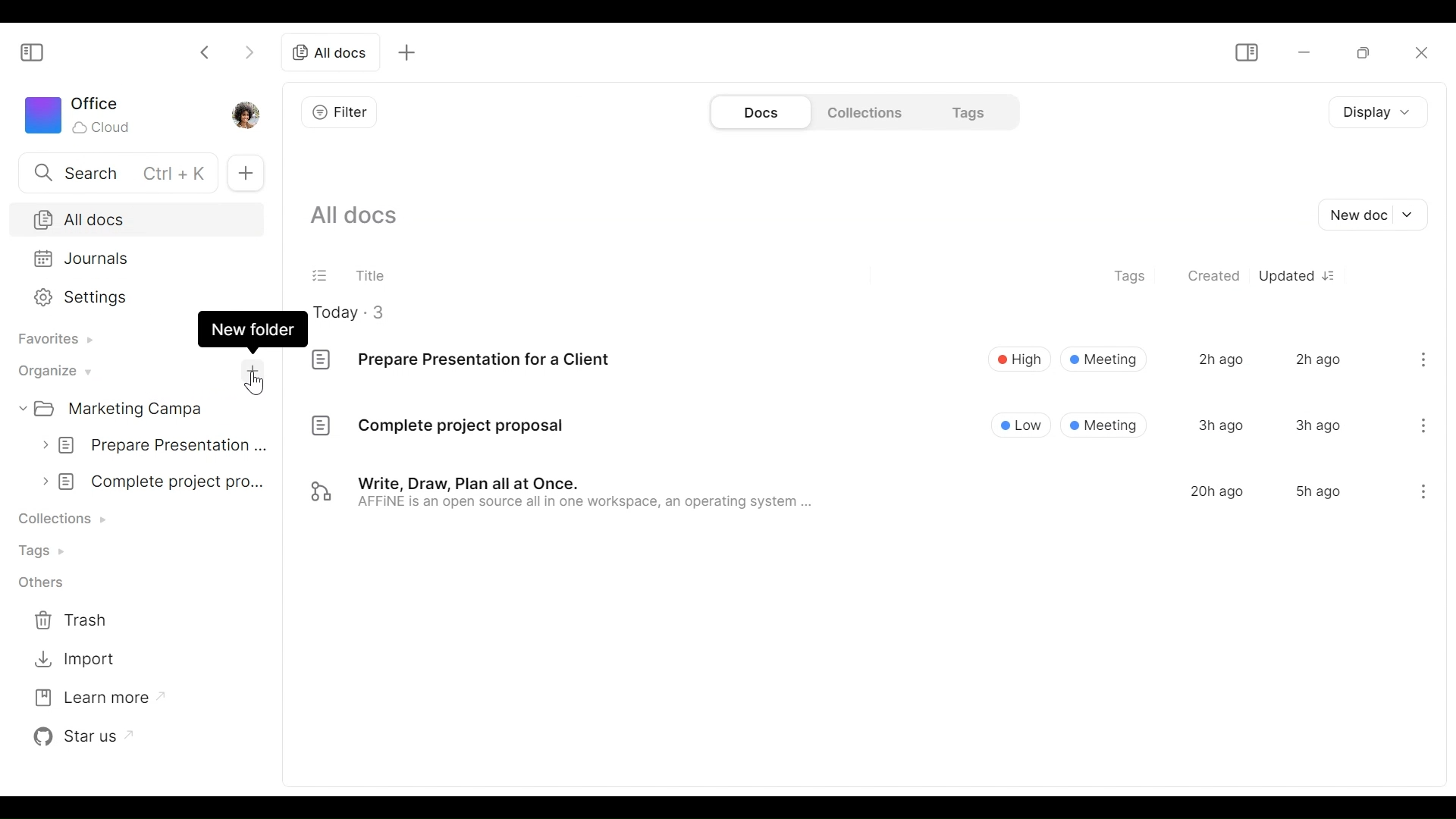 The image size is (1456, 819). What do you see at coordinates (259, 385) in the screenshot?
I see `cursor pointer` at bounding box center [259, 385].